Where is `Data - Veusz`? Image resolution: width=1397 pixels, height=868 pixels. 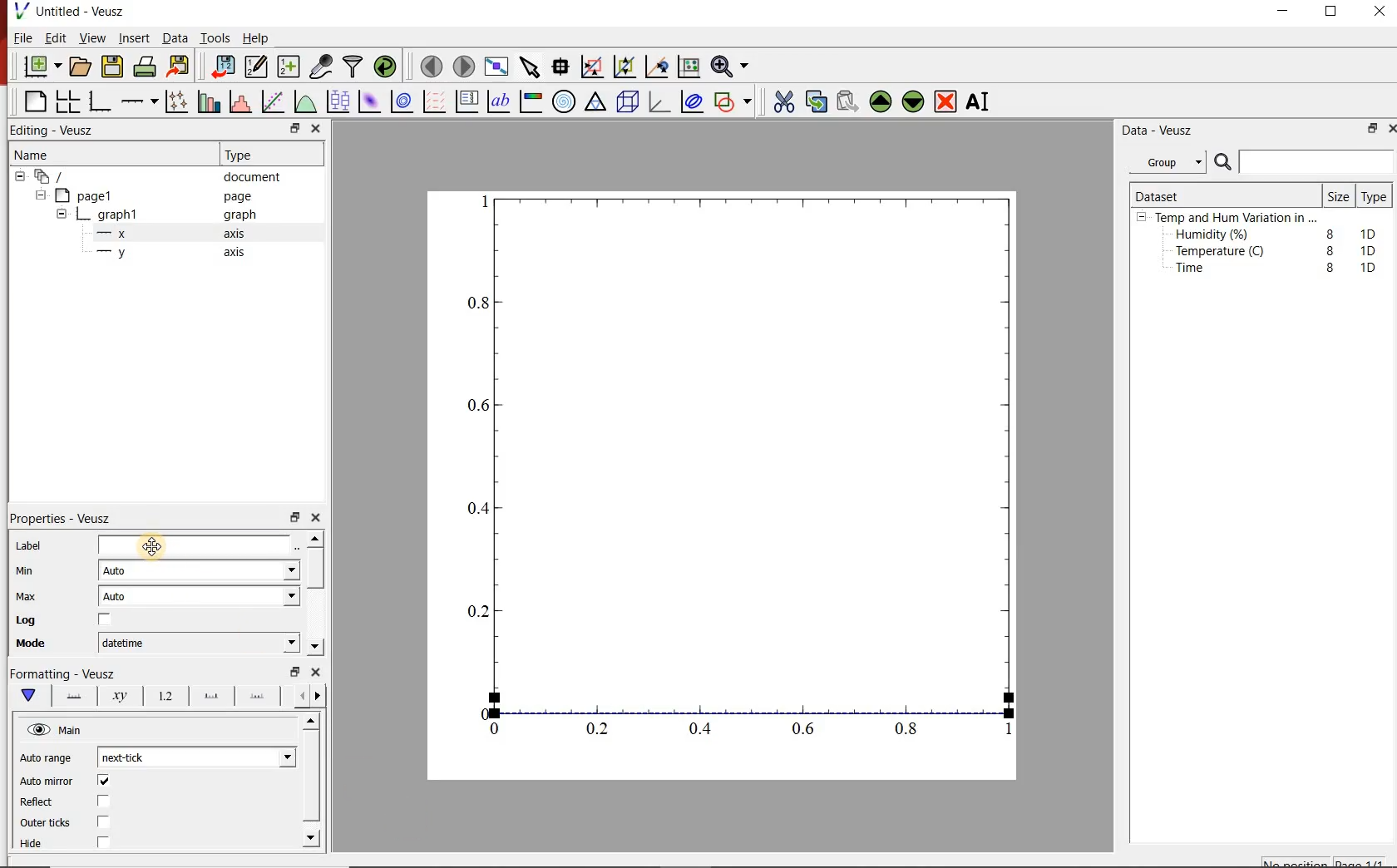 Data - Veusz is located at coordinates (1161, 131).